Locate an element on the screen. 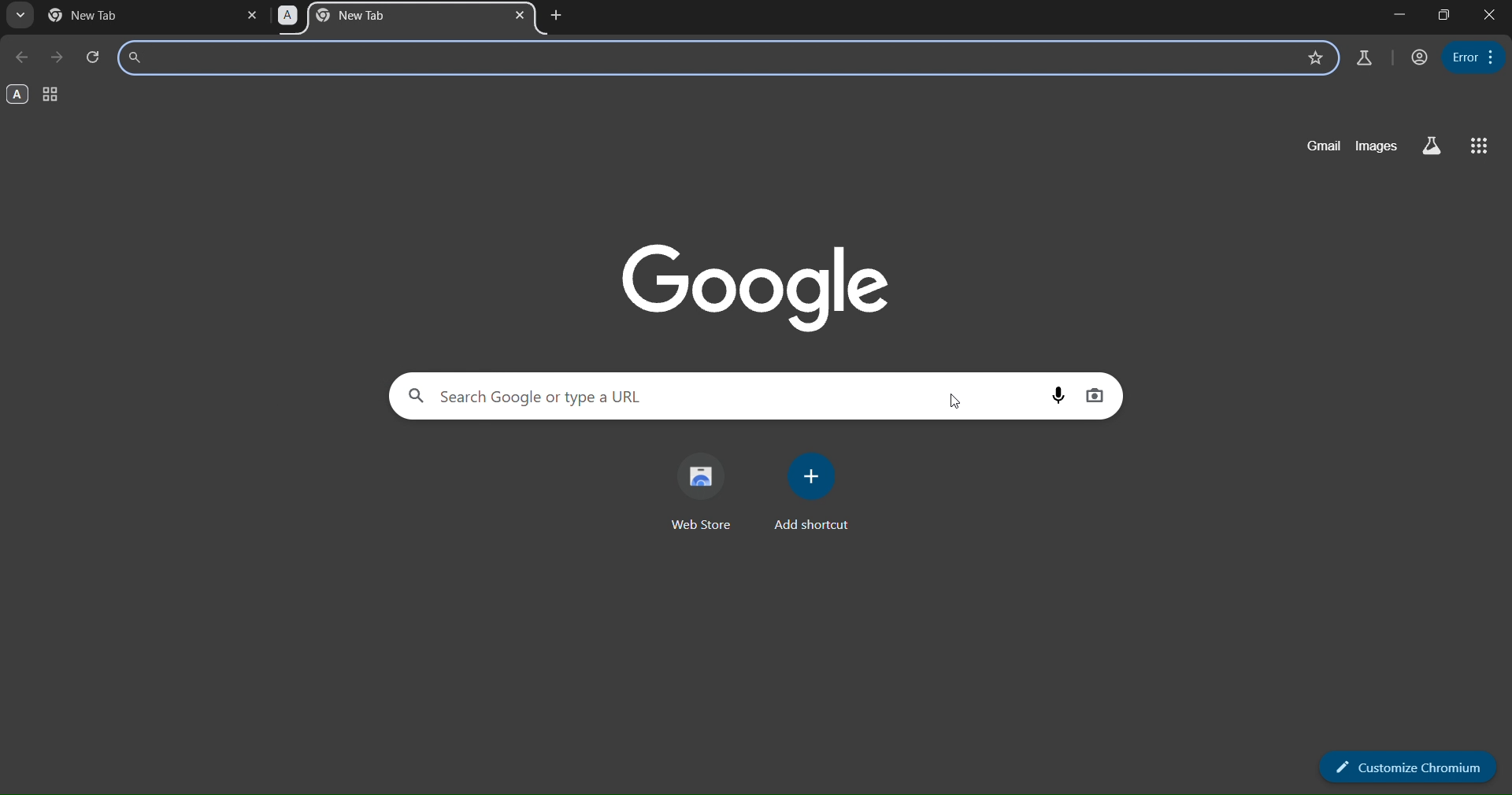 Image resolution: width=1512 pixels, height=795 pixels. gmail is located at coordinates (1324, 146).